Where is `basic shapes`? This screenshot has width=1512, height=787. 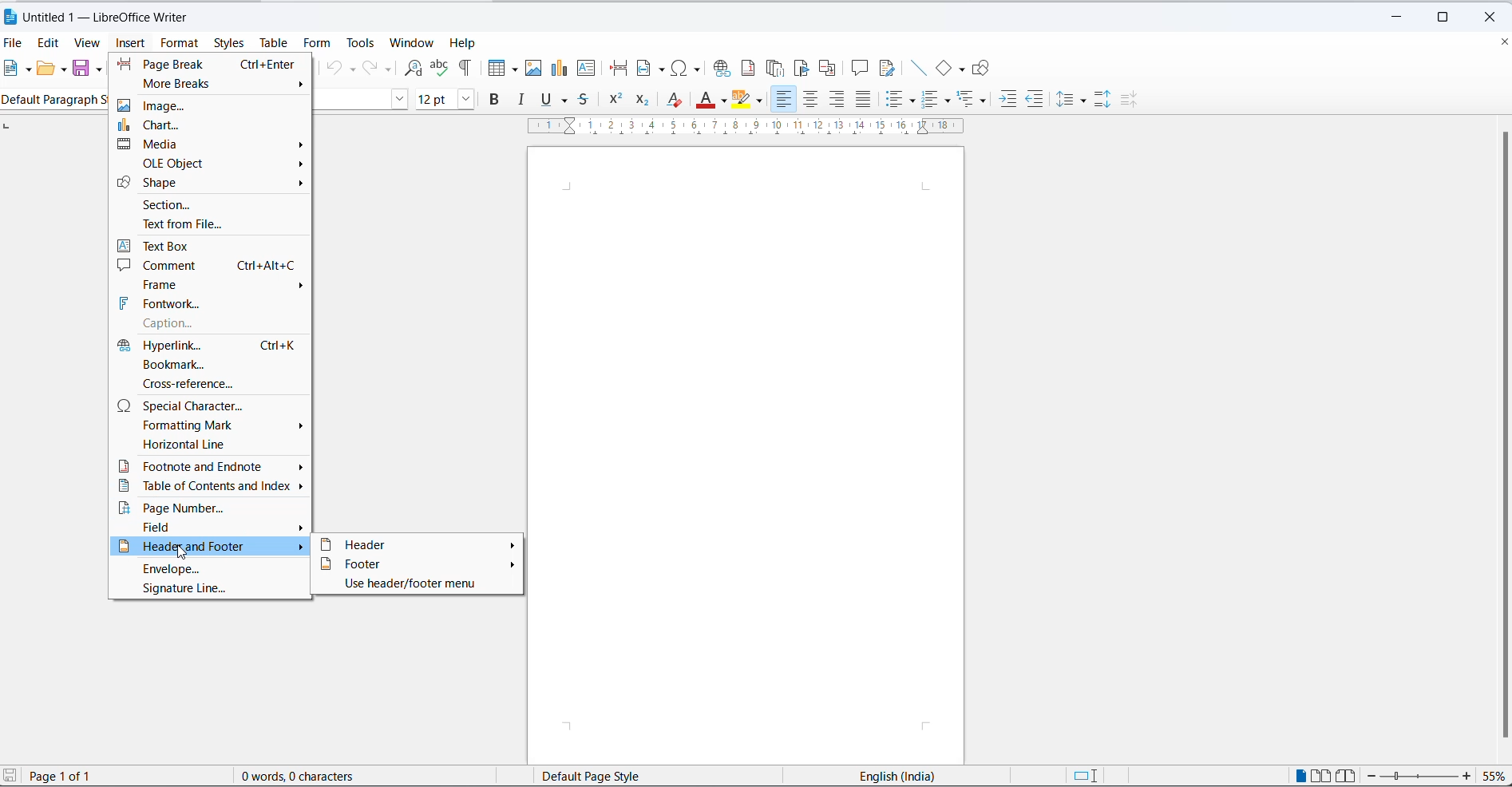
basic shapes is located at coordinates (962, 70).